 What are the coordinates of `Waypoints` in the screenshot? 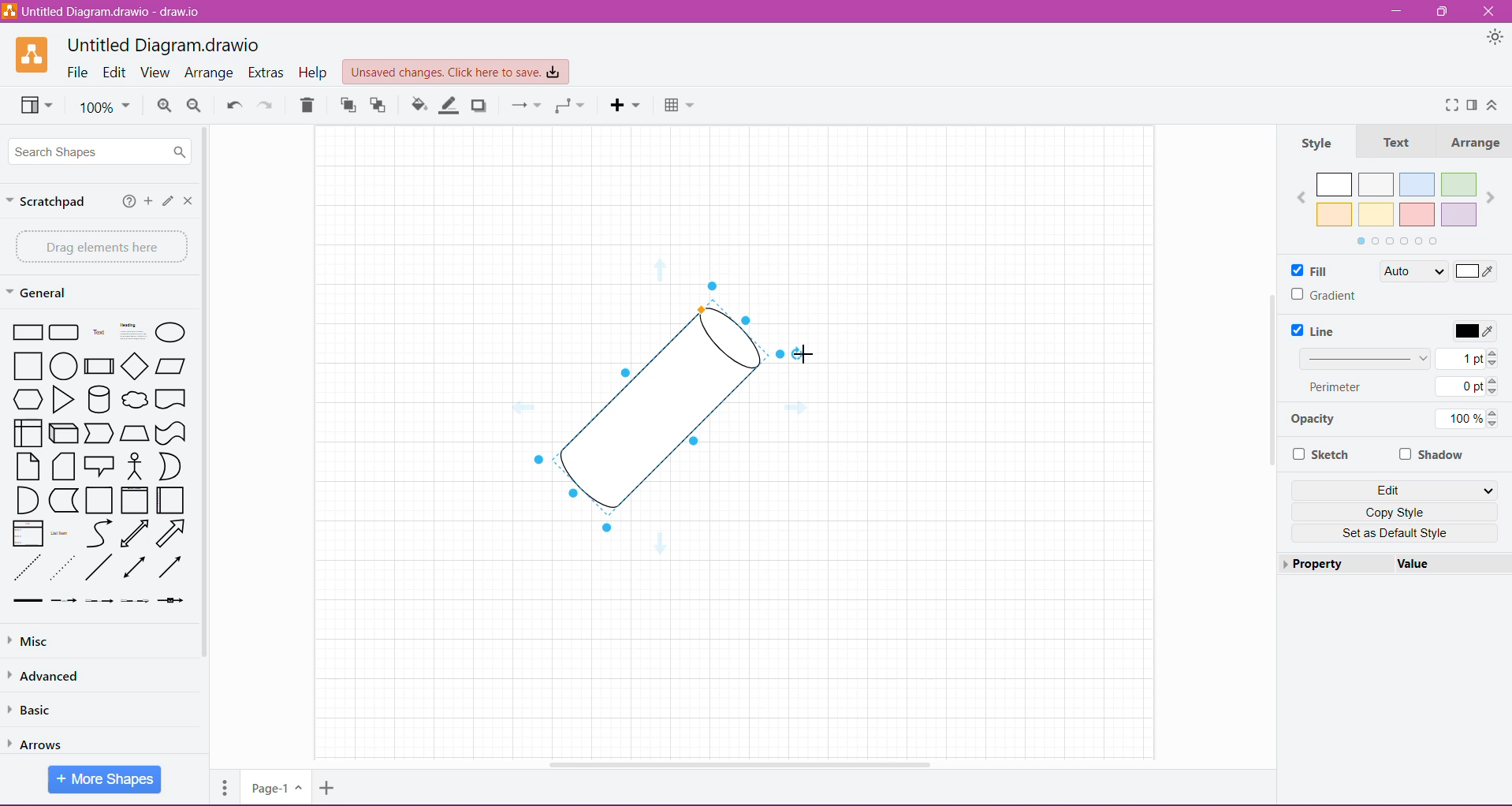 It's located at (568, 107).